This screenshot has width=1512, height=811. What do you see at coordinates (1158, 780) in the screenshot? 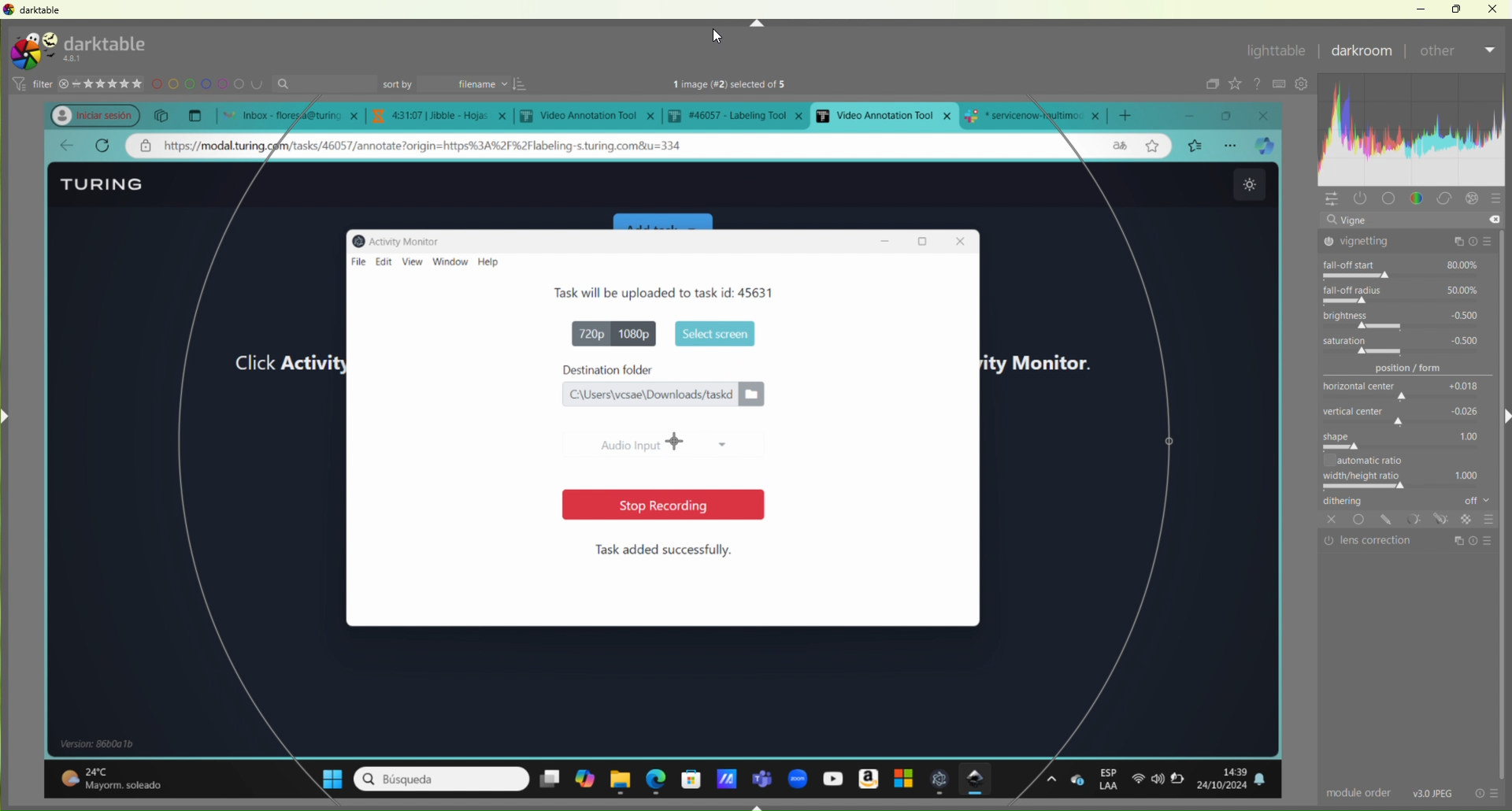
I see `sound` at bounding box center [1158, 780].